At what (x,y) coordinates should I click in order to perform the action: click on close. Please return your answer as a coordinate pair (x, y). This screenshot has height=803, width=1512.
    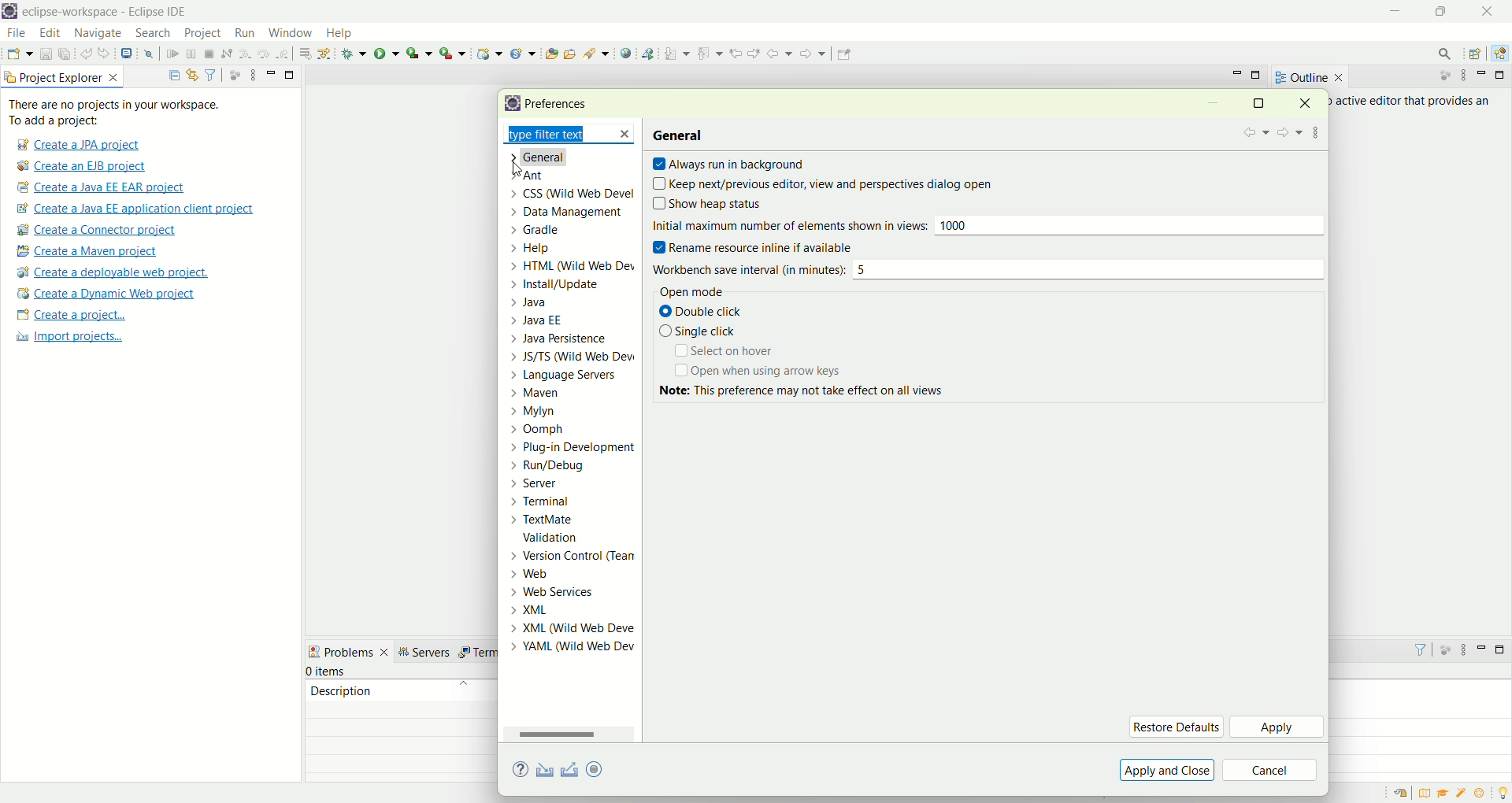
    Looking at the image, I should click on (1492, 11).